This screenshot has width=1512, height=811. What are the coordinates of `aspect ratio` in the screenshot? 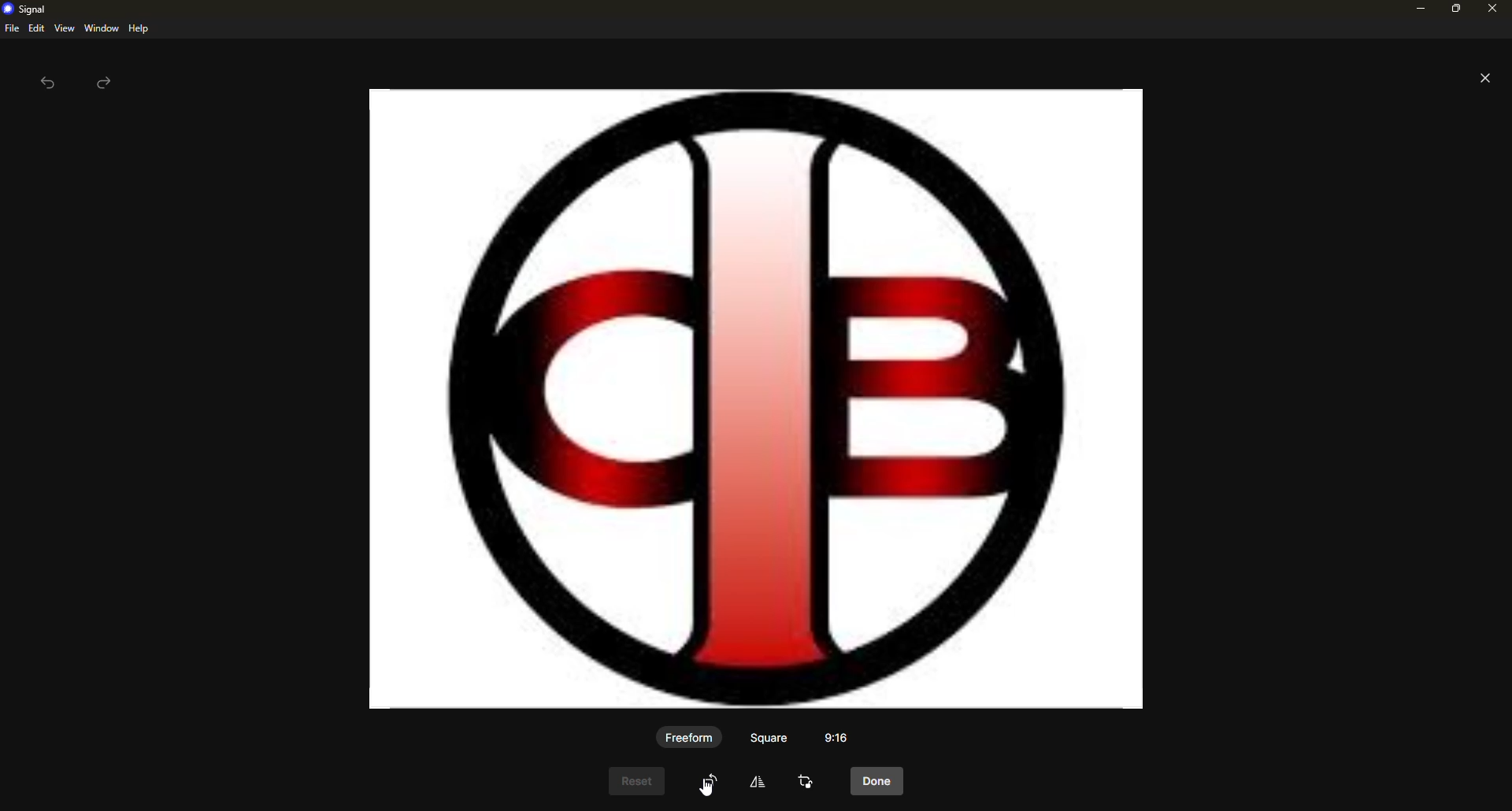 It's located at (838, 735).